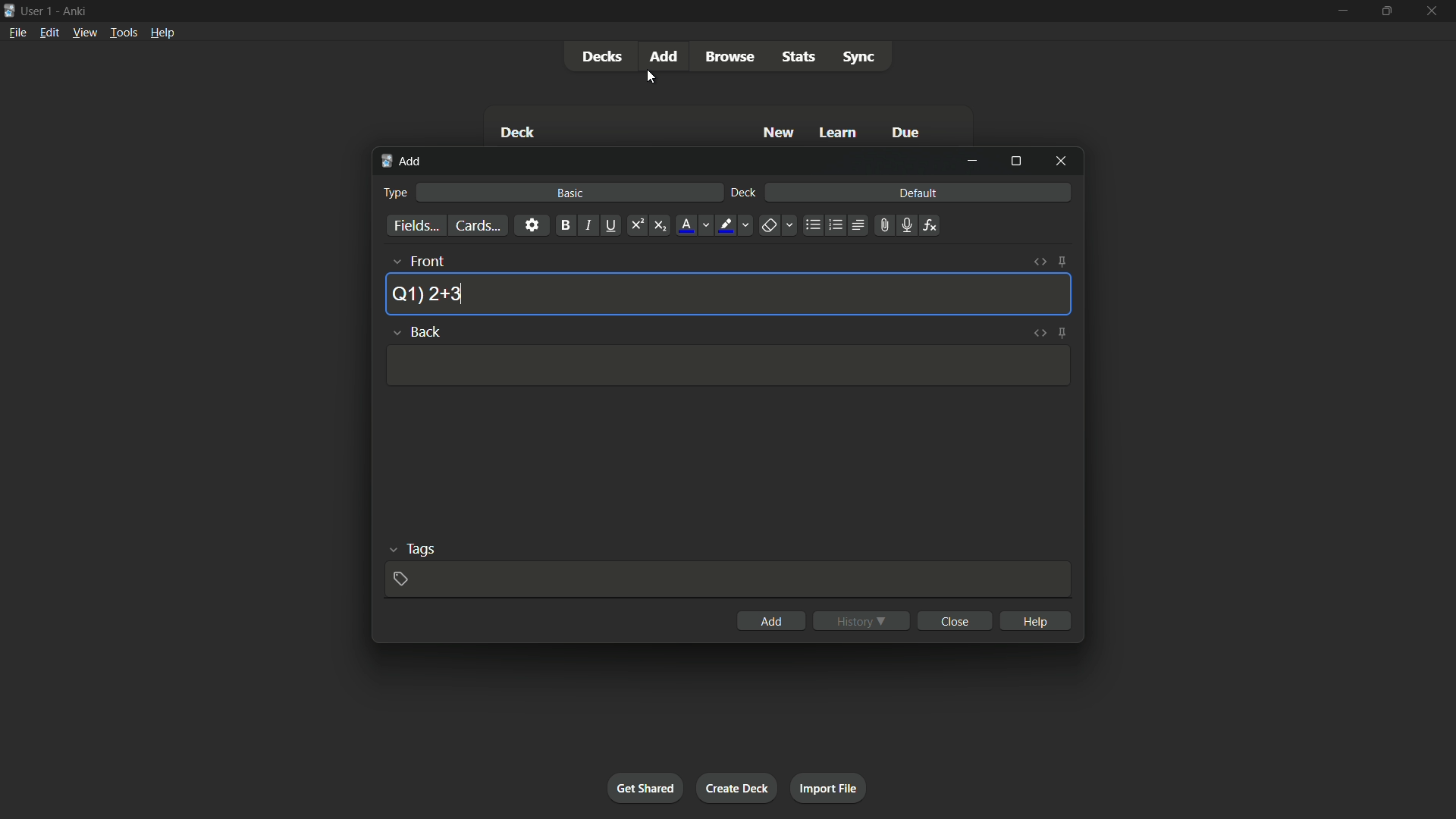  What do you see at coordinates (772, 621) in the screenshot?
I see `add` at bounding box center [772, 621].